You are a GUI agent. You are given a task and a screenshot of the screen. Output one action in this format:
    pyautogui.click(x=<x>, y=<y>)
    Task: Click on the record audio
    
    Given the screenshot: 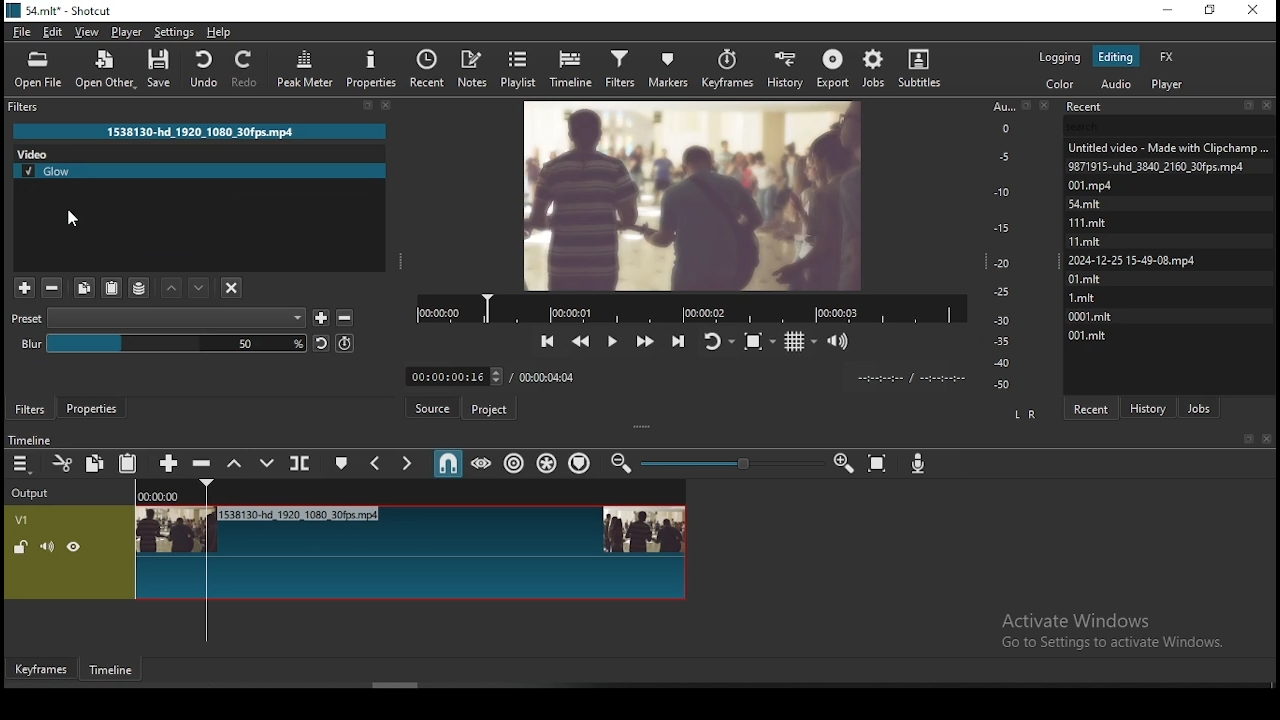 What is the action you would take?
    pyautogui.click(x=919, y=459)
    